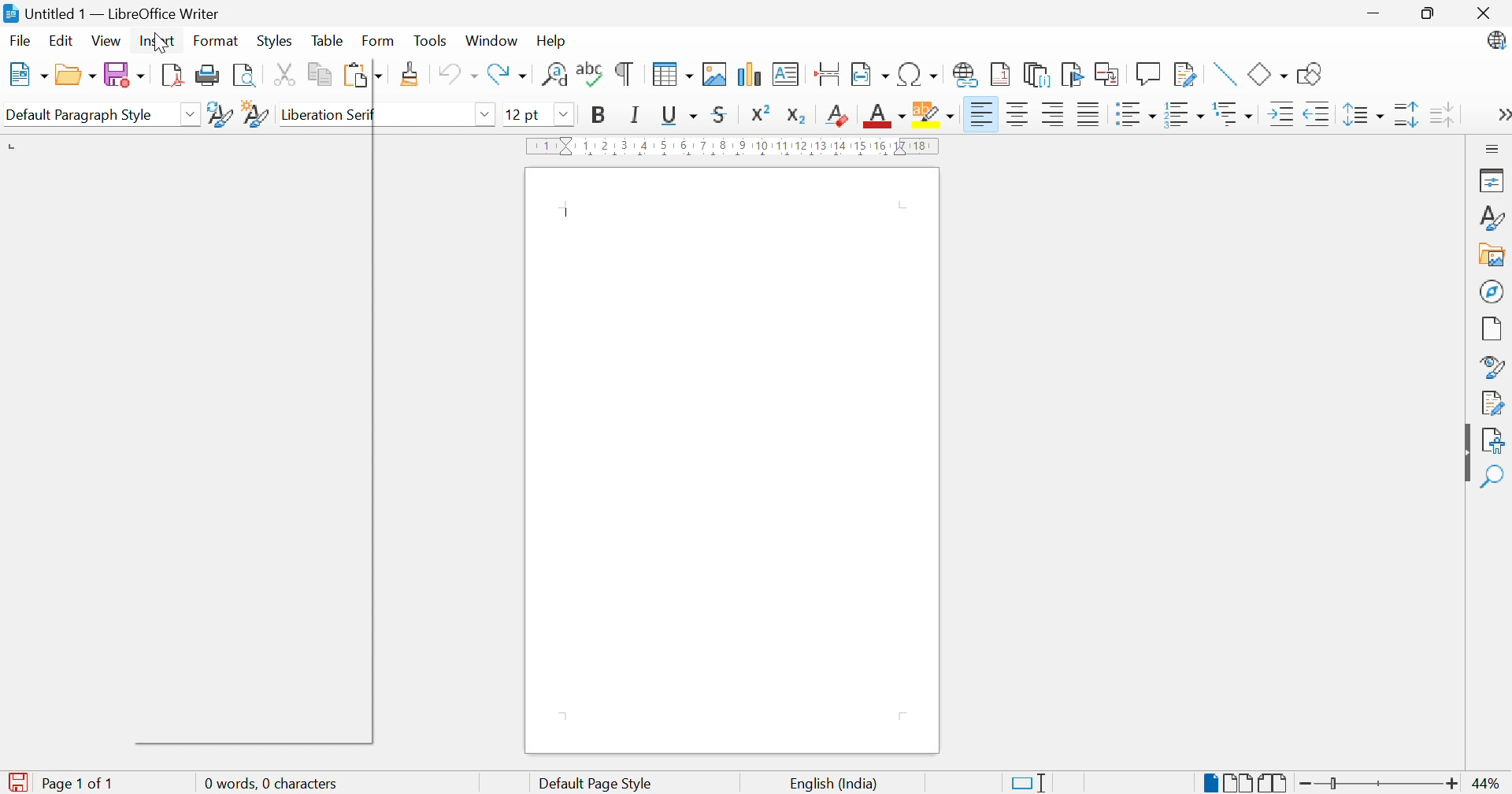  I want to click on Styles, so click(1495, 217).